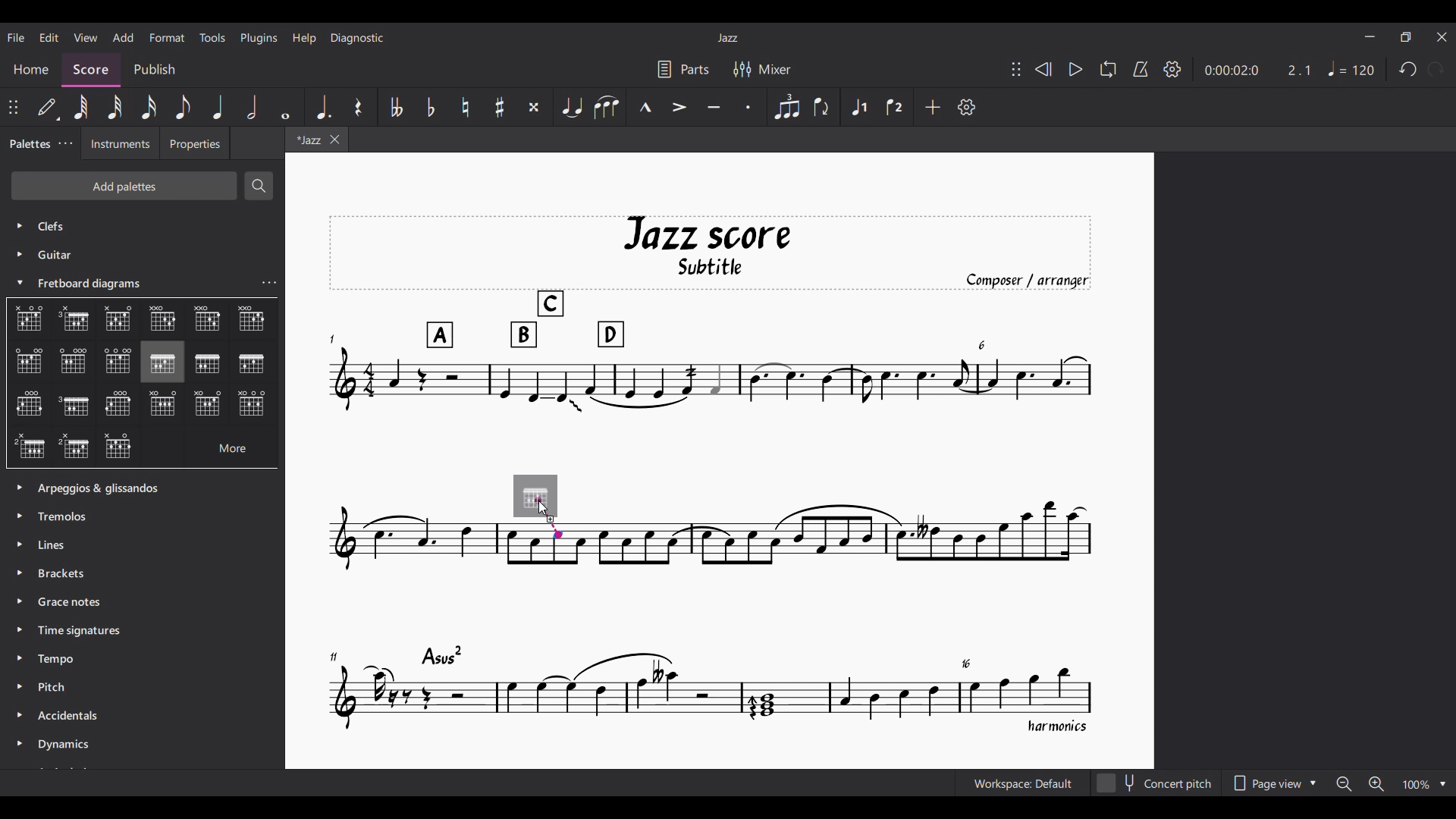 This screenshot has width=1456, height=819. I want to click on tremolos, so click(69, 515).